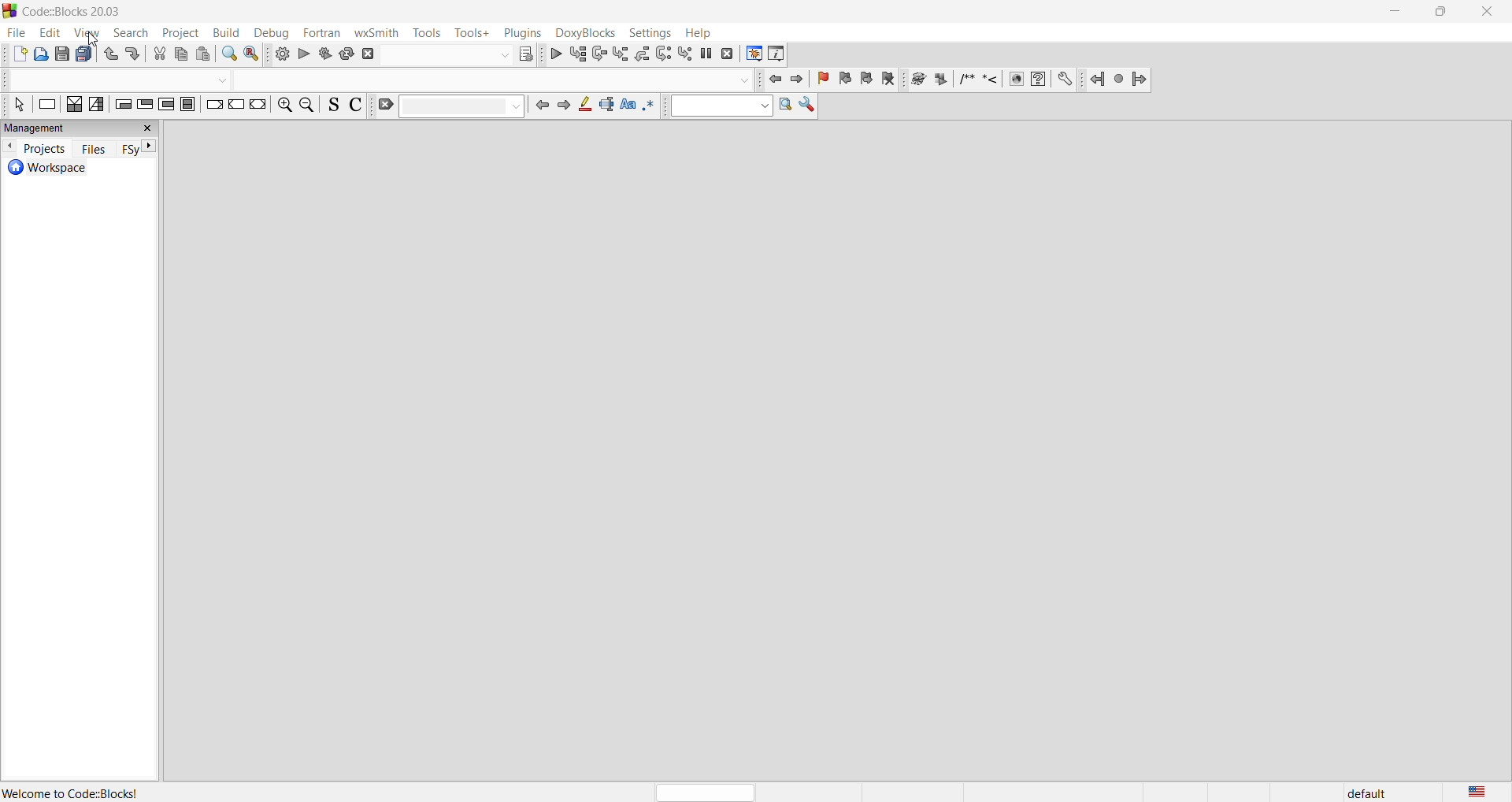  Describe the element at coordinates (773, 79) in the screenshot. I see `jump to front` at that location.